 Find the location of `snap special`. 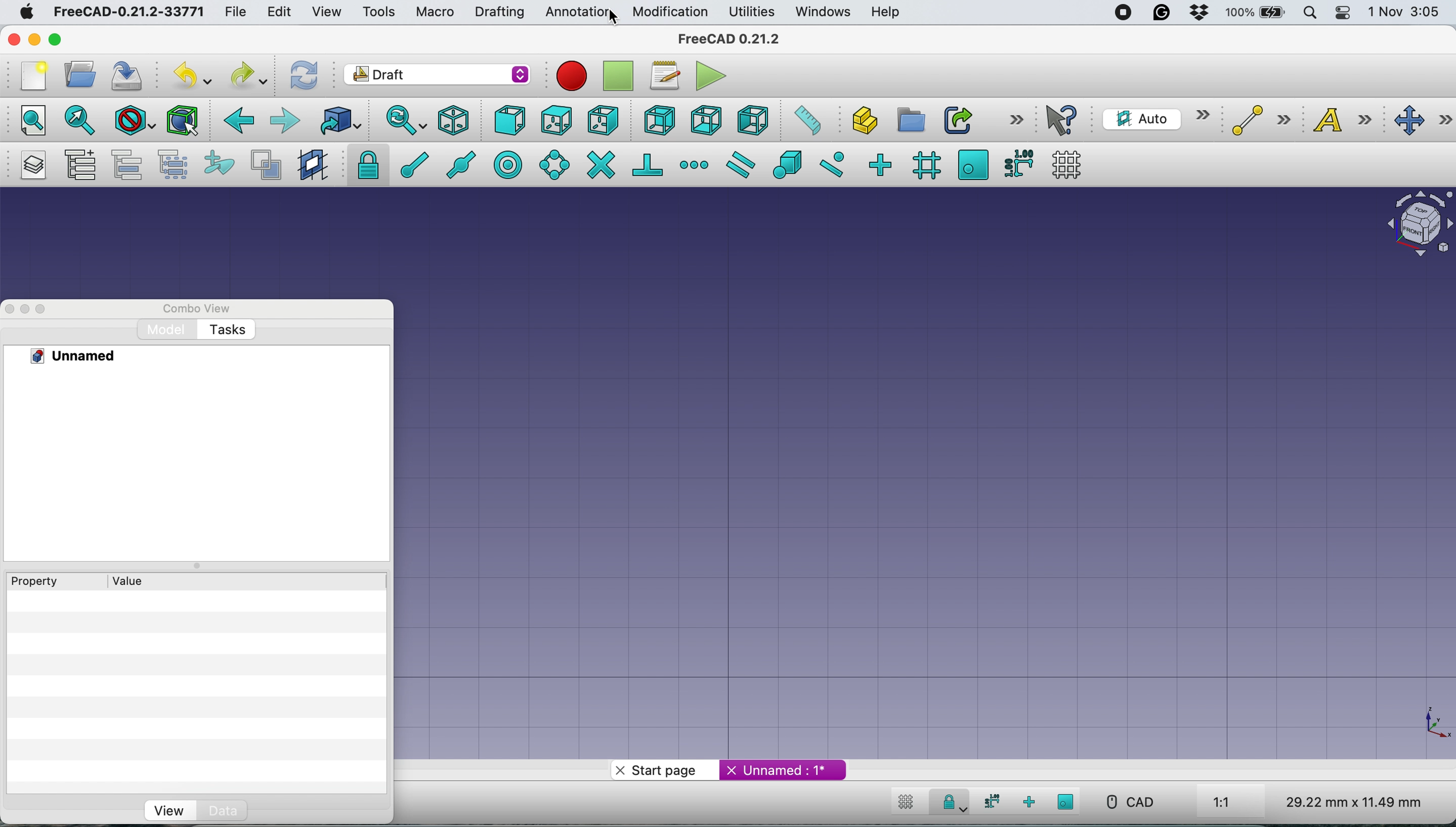

snap special is located at coordinates (788, 165).